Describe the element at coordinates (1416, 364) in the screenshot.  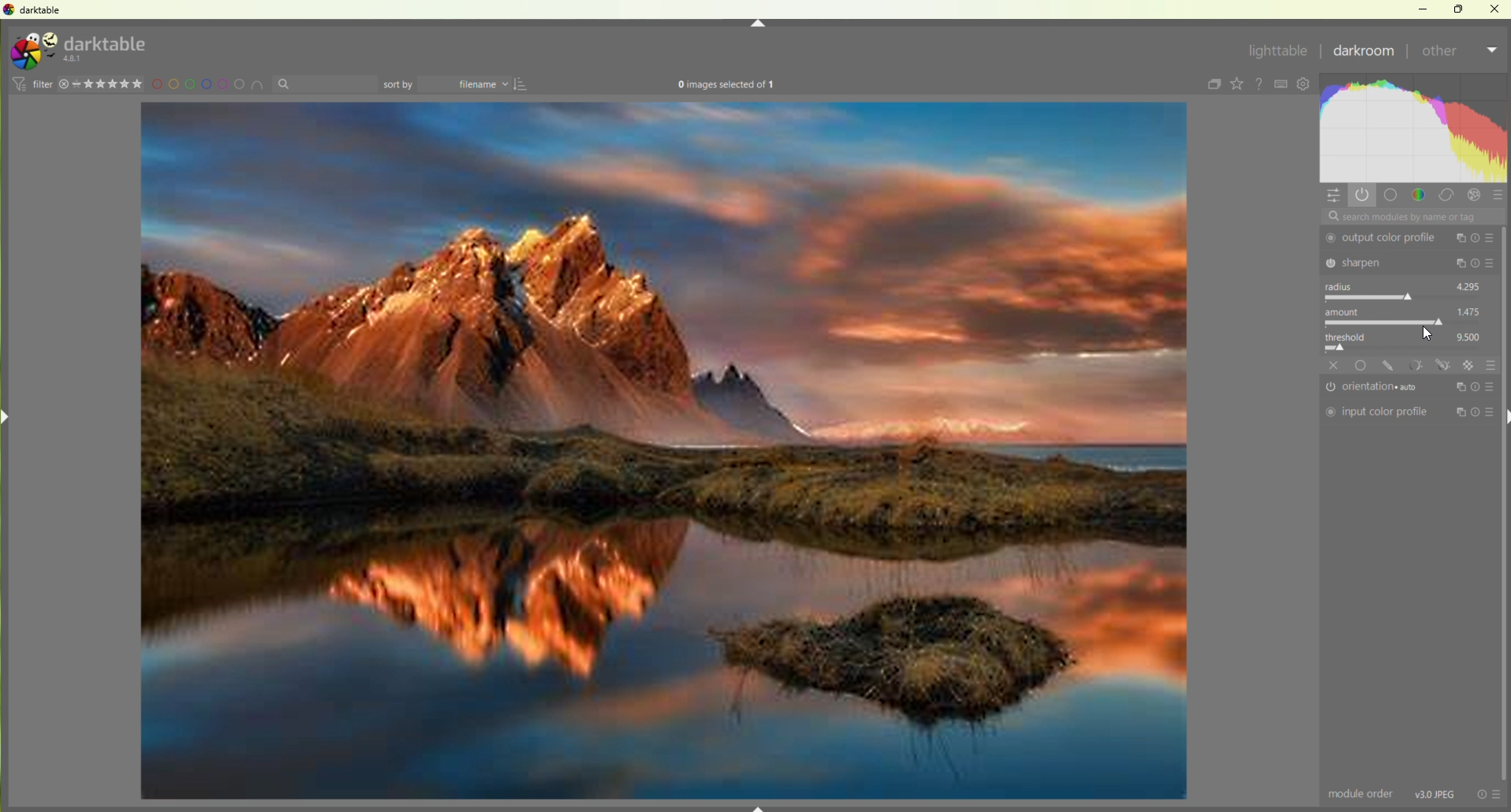
I see `tool` at that location.